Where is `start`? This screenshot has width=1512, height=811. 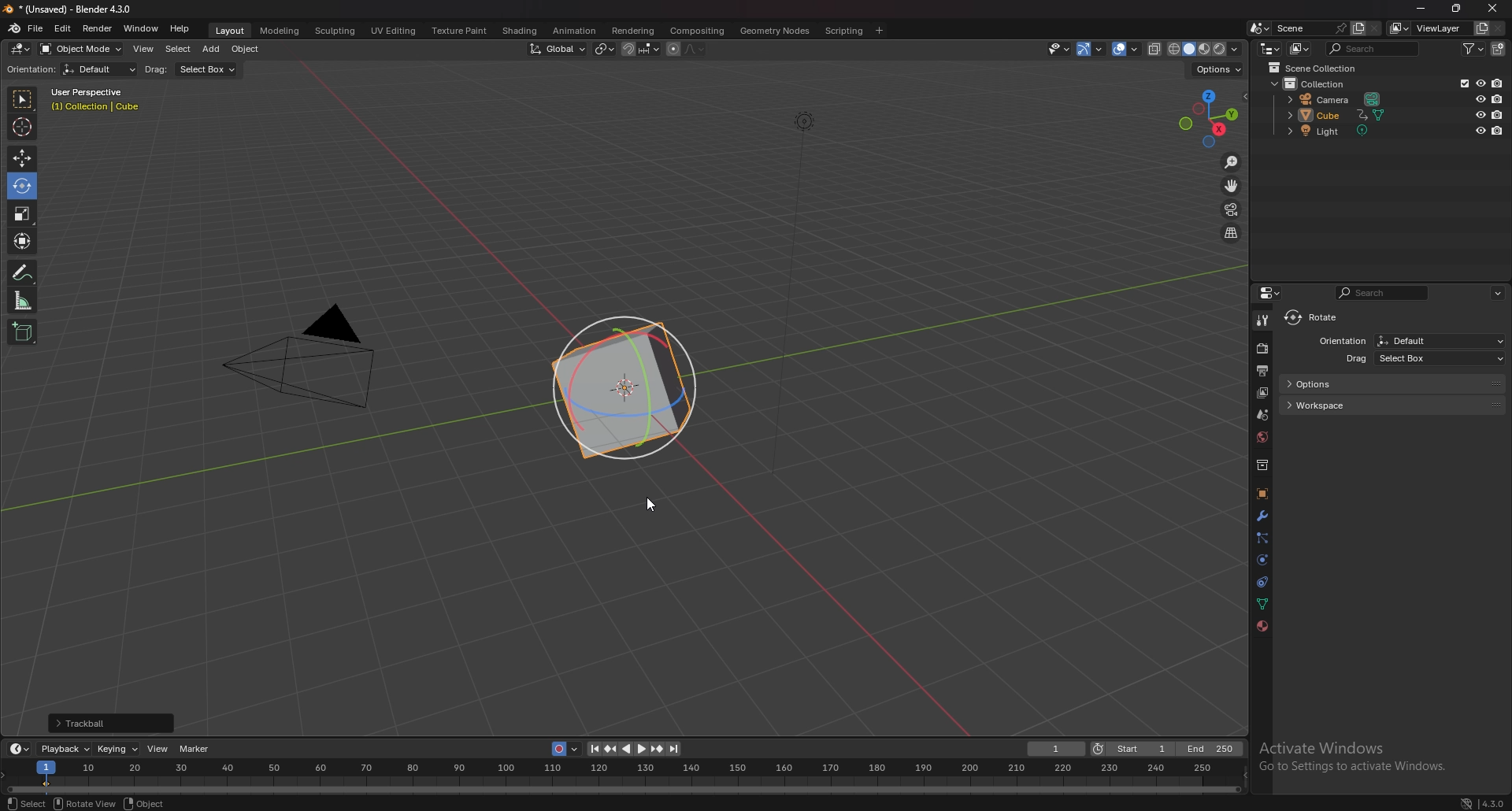
start is located at coordinates (1133, 749).